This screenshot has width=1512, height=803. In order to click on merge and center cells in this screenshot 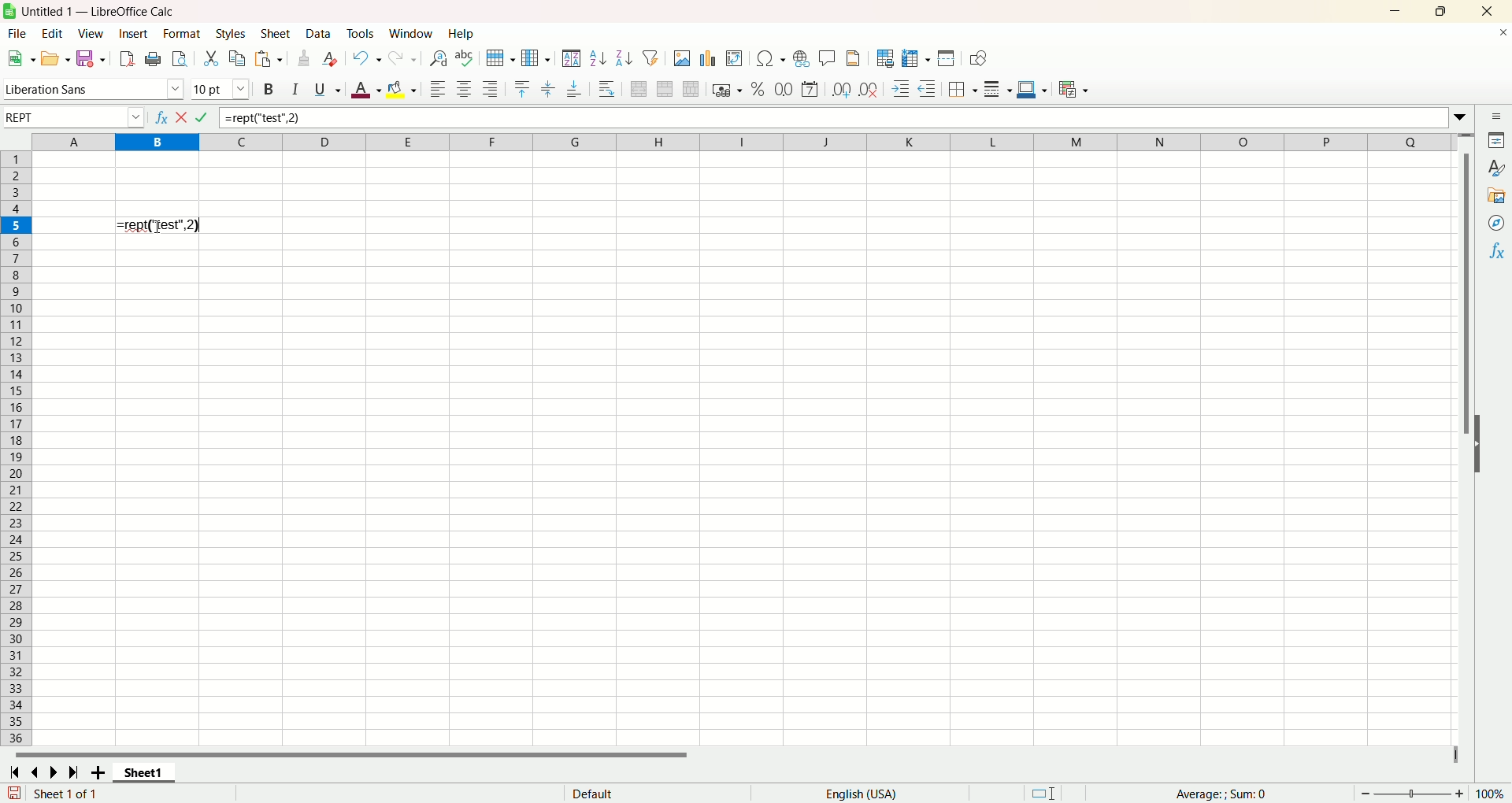, I will do `click(636, 89)`.